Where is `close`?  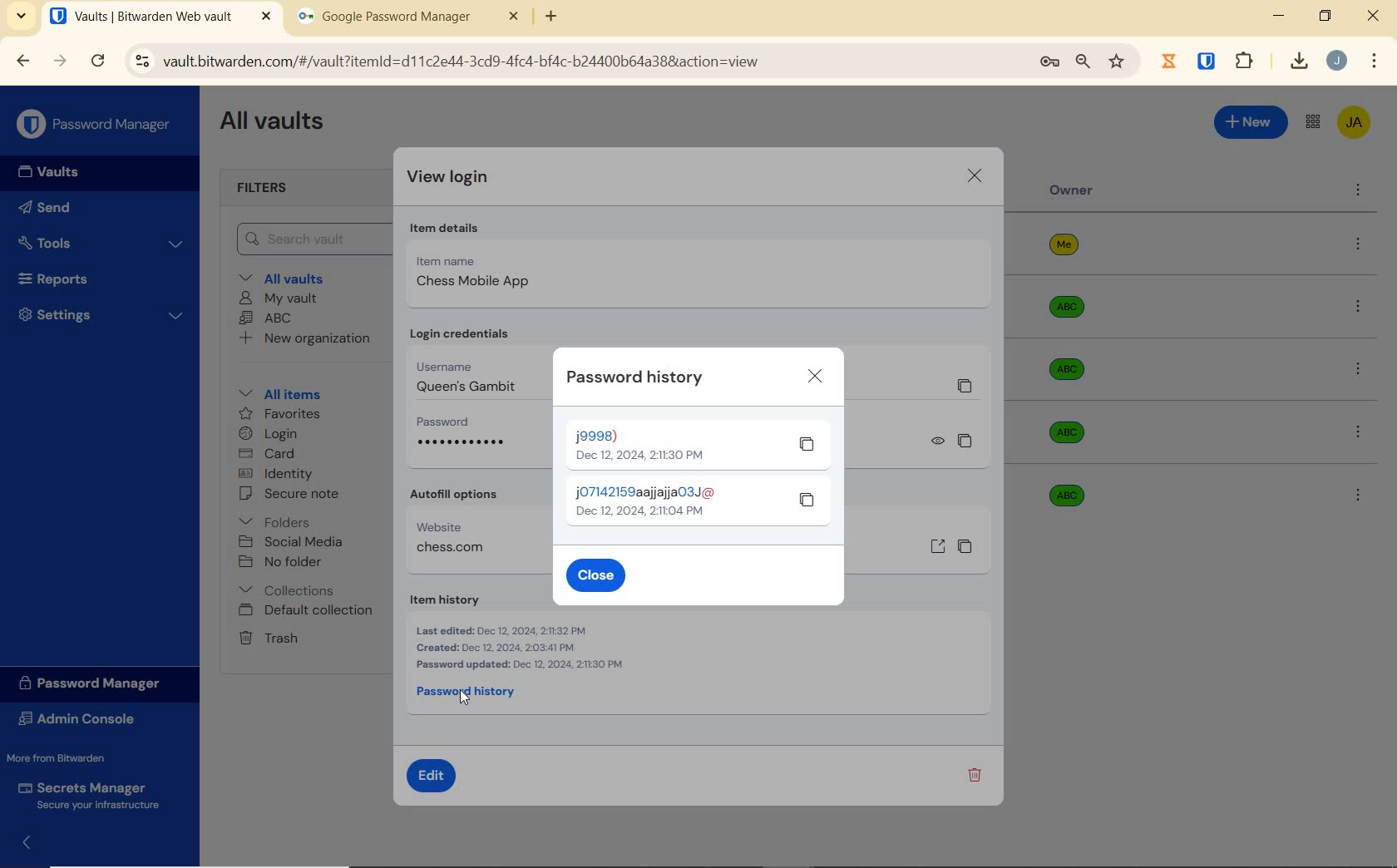 close is located at coordinates (595, 577).